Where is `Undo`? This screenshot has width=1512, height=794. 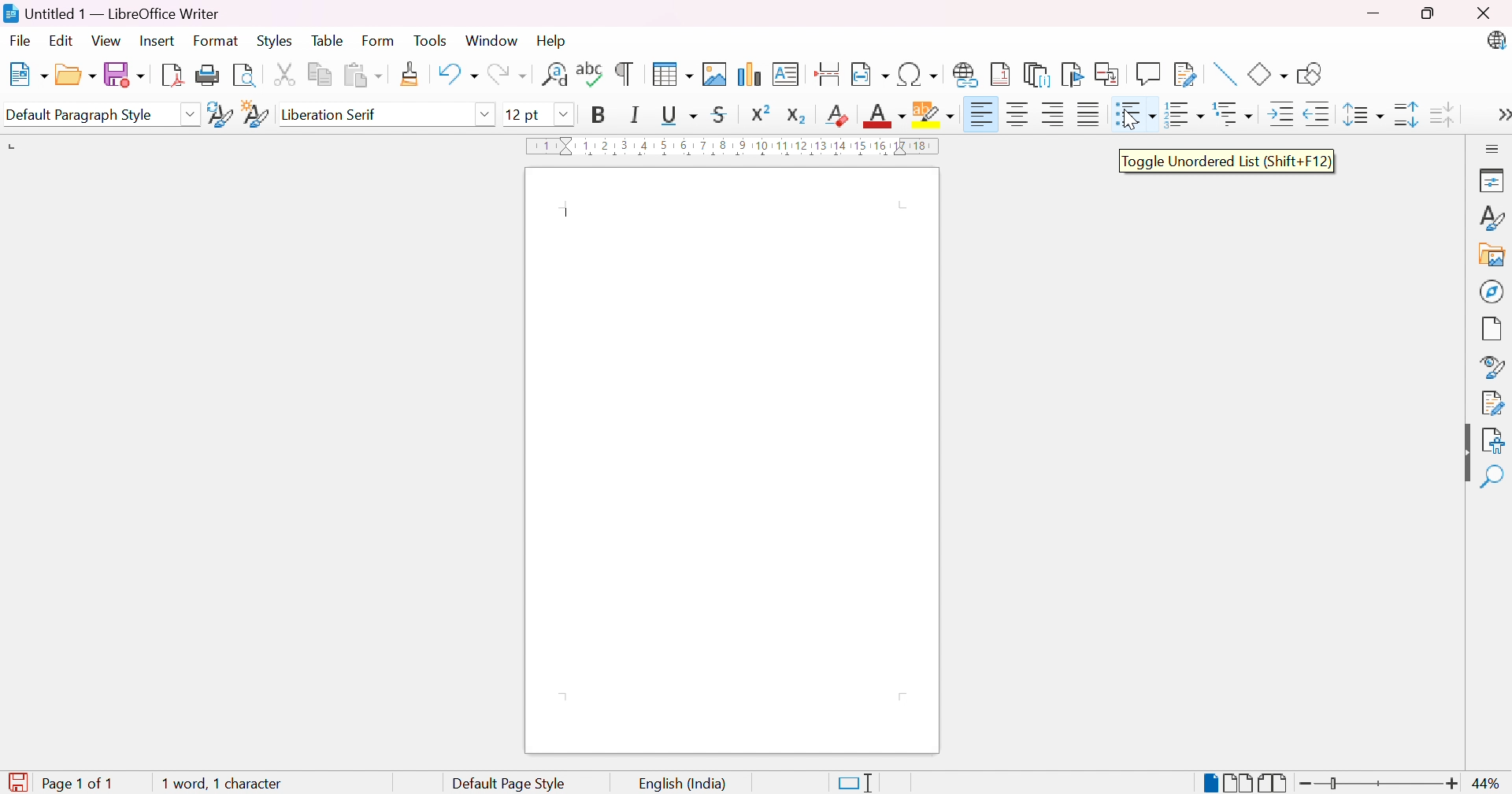 Undo is located at coordinates (458, 76).